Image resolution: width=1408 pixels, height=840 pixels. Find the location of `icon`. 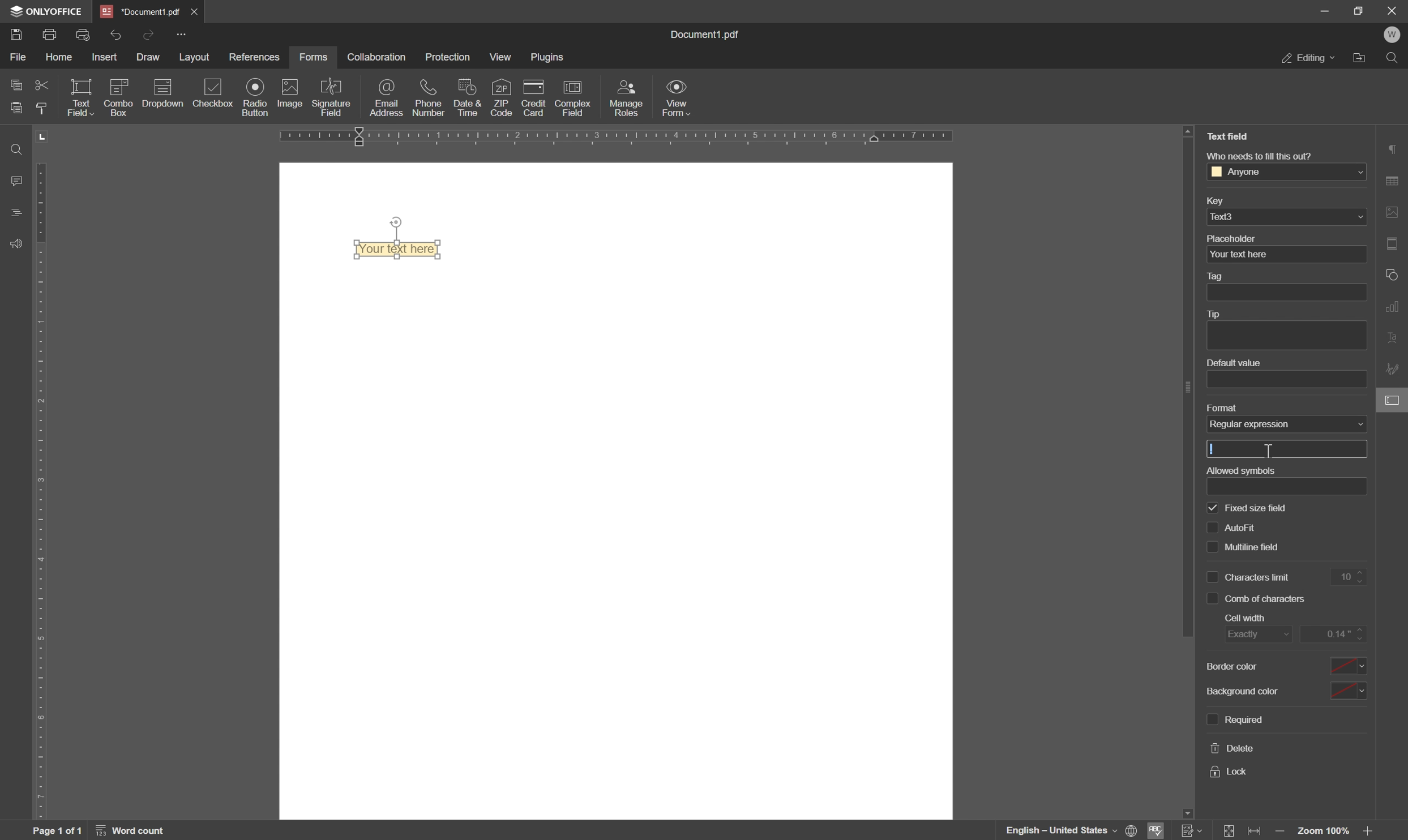

icon is located at coordinates (161, 96).